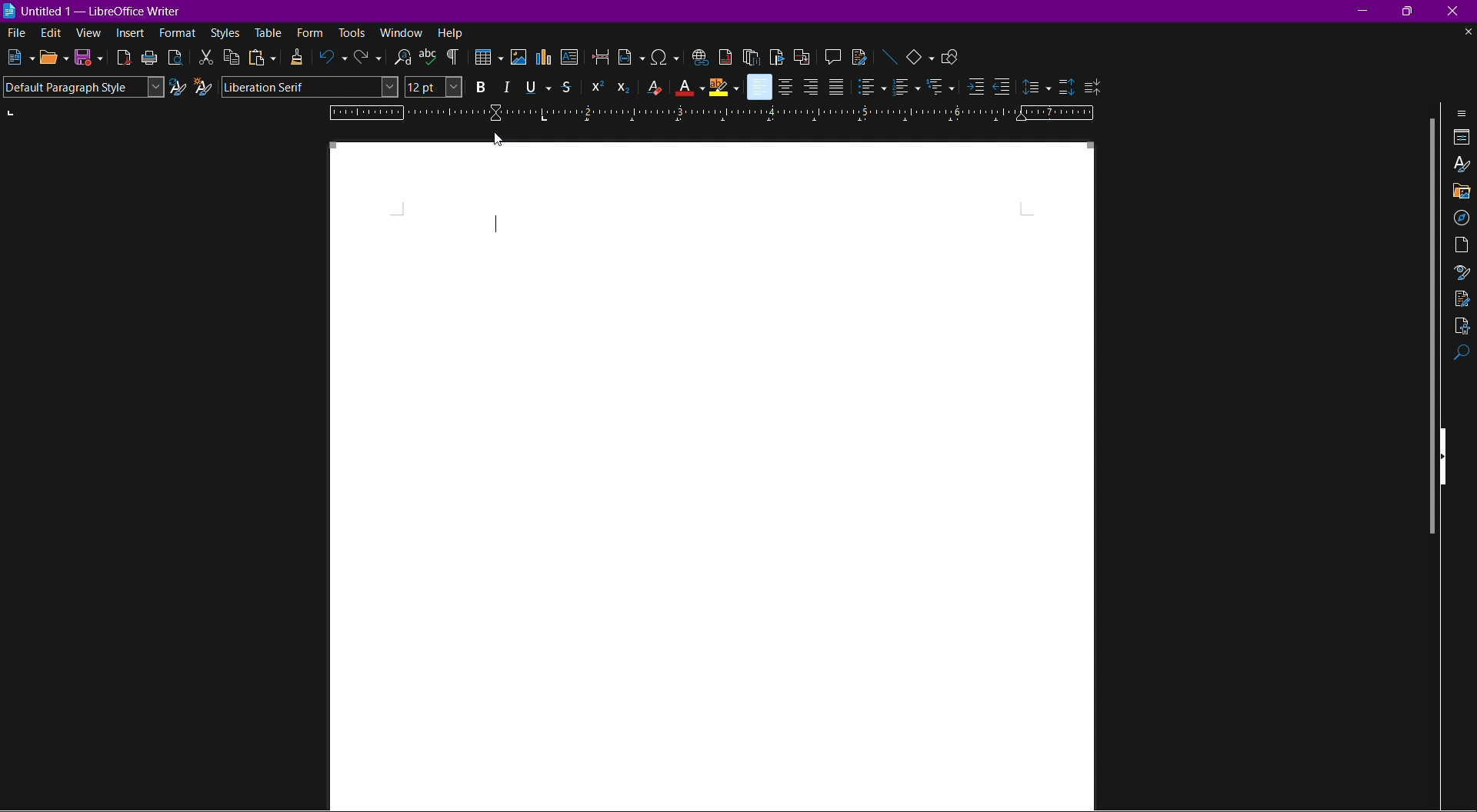 The image size is (1477, 812). Describe the element at coordinates (776, 56) in the screenshot. I see `Insert Bookmark` at that location.